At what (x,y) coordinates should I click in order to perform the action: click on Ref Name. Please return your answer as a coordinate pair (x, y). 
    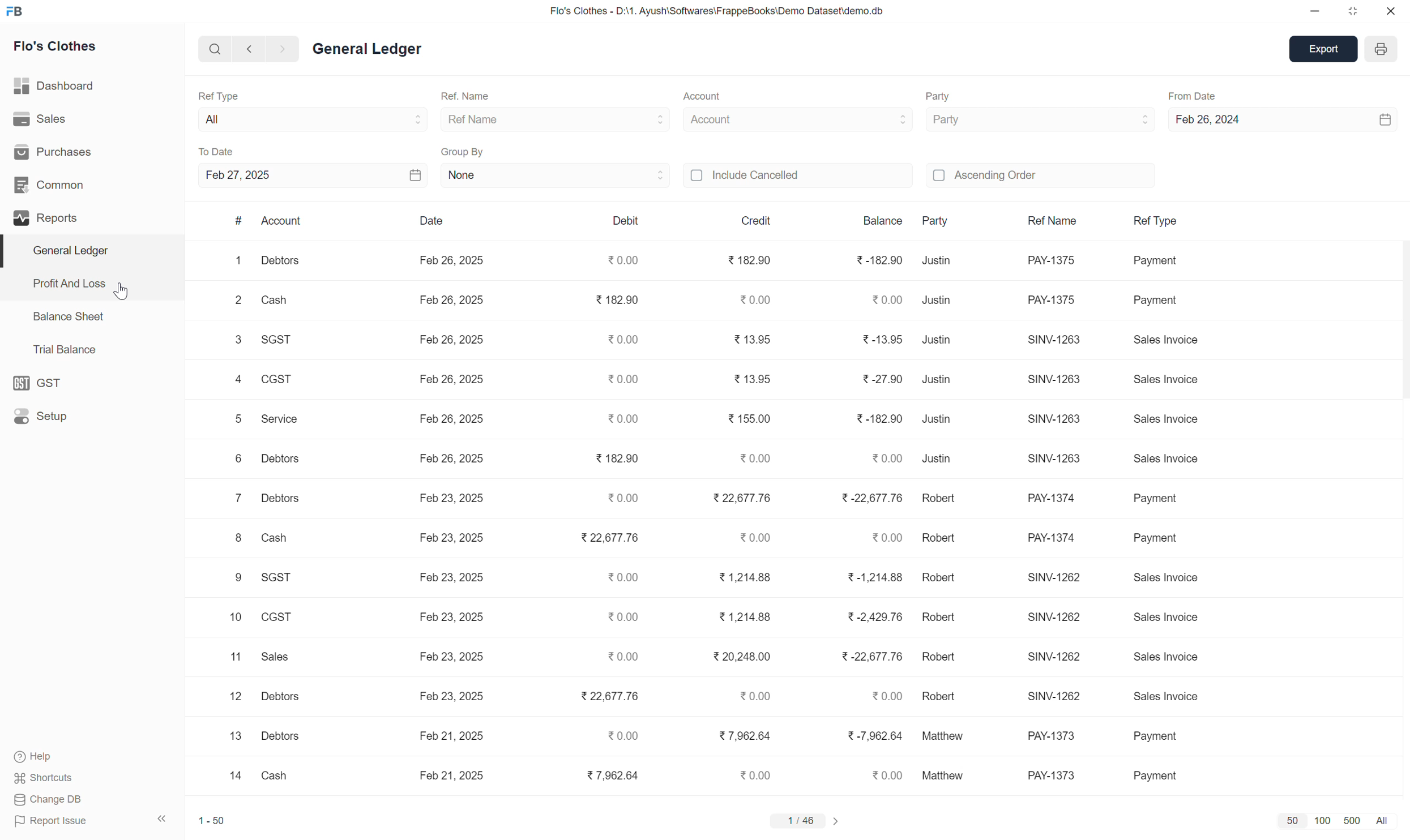
    Looking at the image, I should click on (1054, 223).